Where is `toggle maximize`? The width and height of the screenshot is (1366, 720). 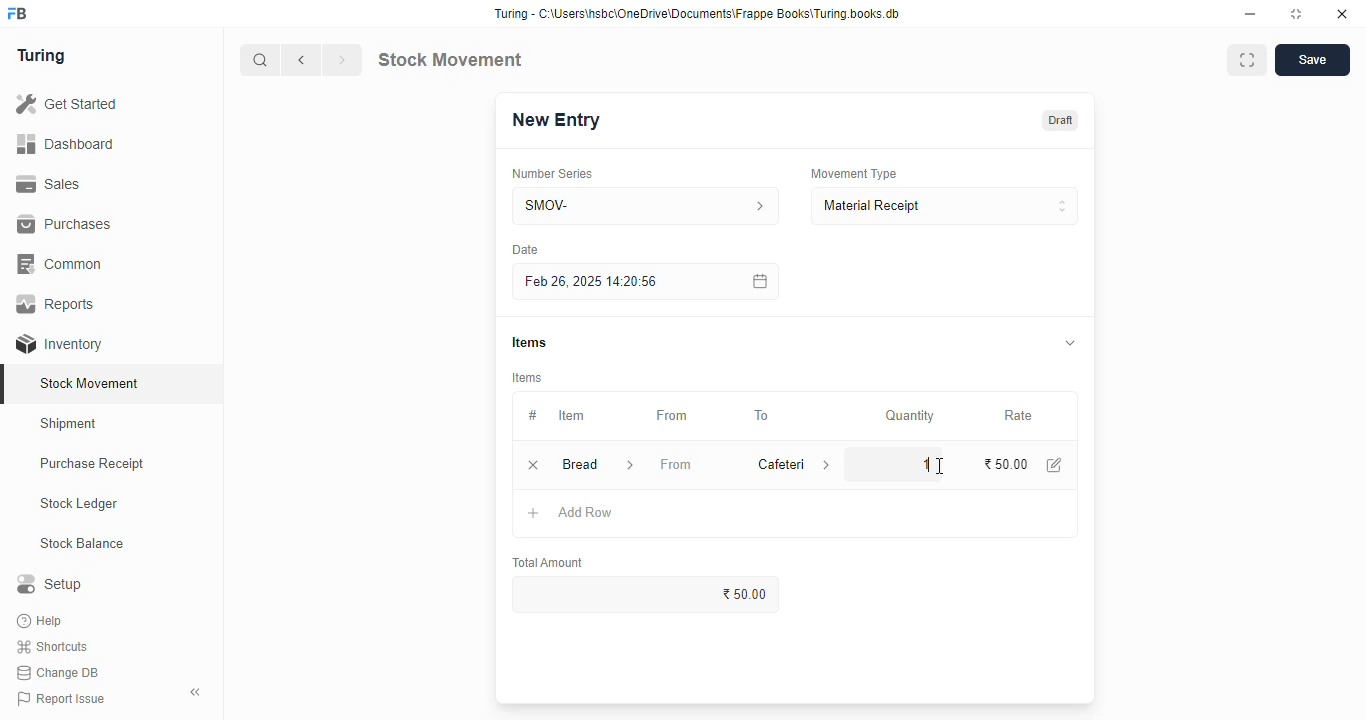 toggle maximize is located at coordinates (1295, 14).